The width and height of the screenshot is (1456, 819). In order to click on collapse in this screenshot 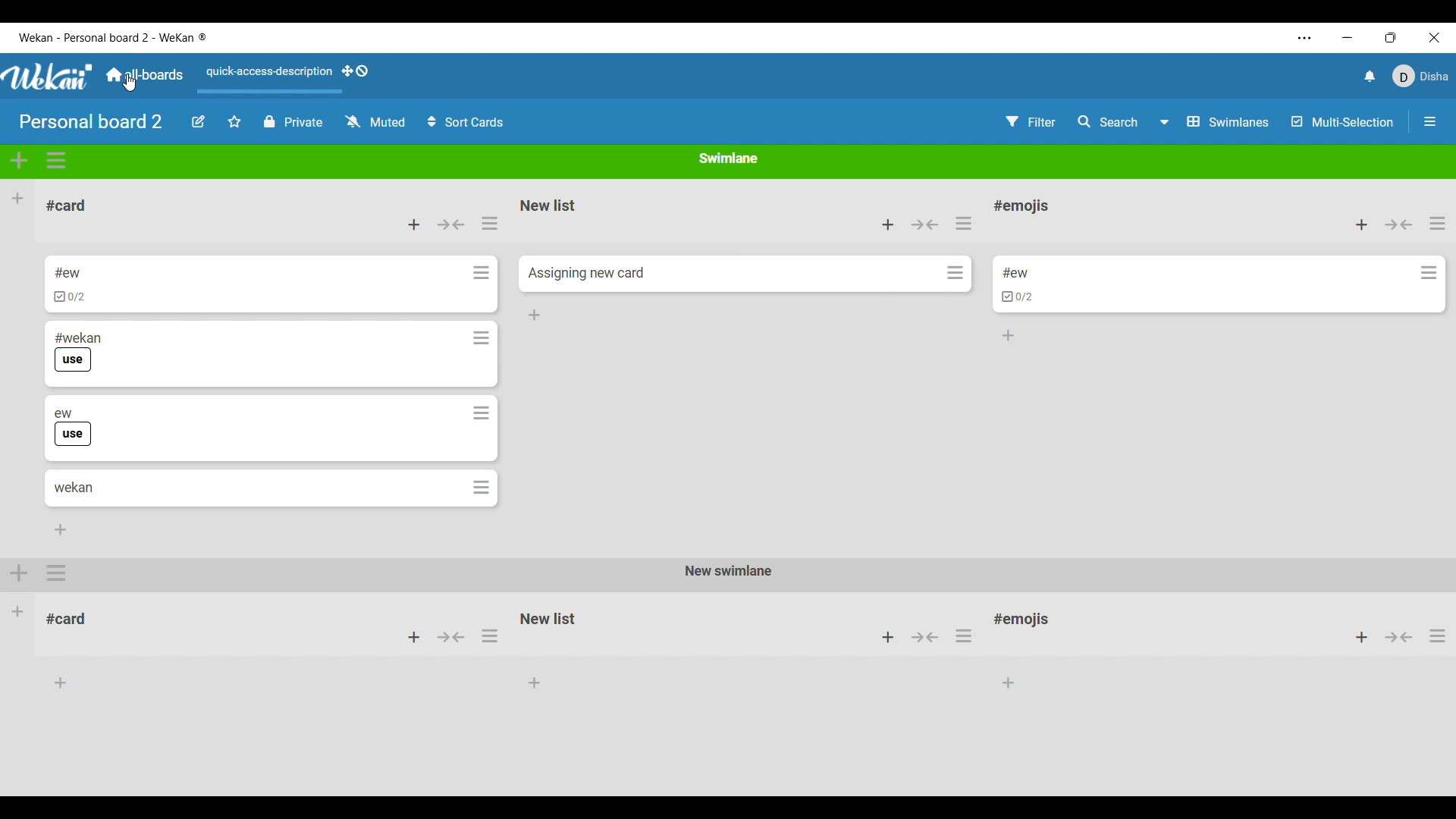, I will do `click(1404, 639)`.